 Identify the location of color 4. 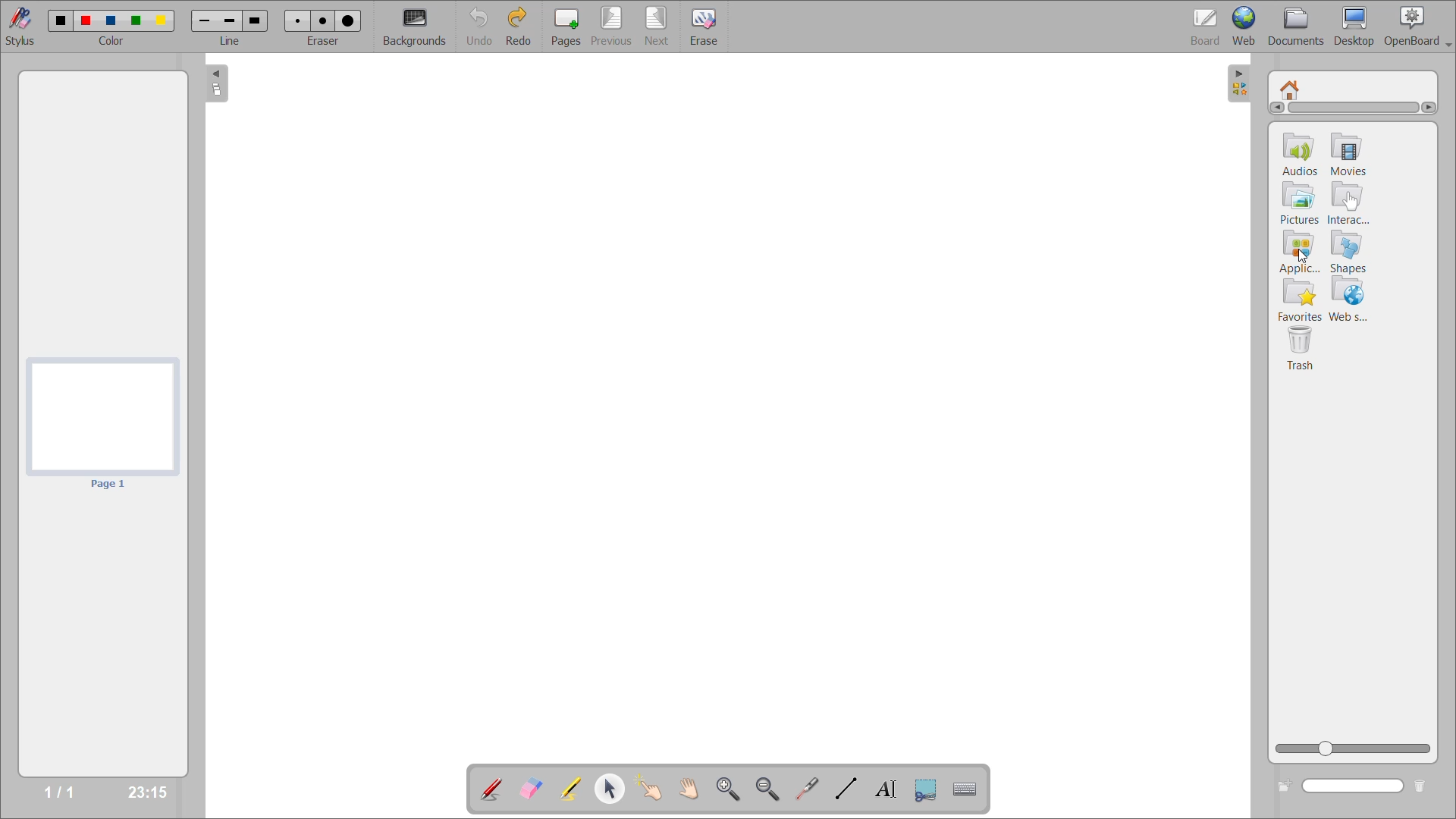
(135, 22).